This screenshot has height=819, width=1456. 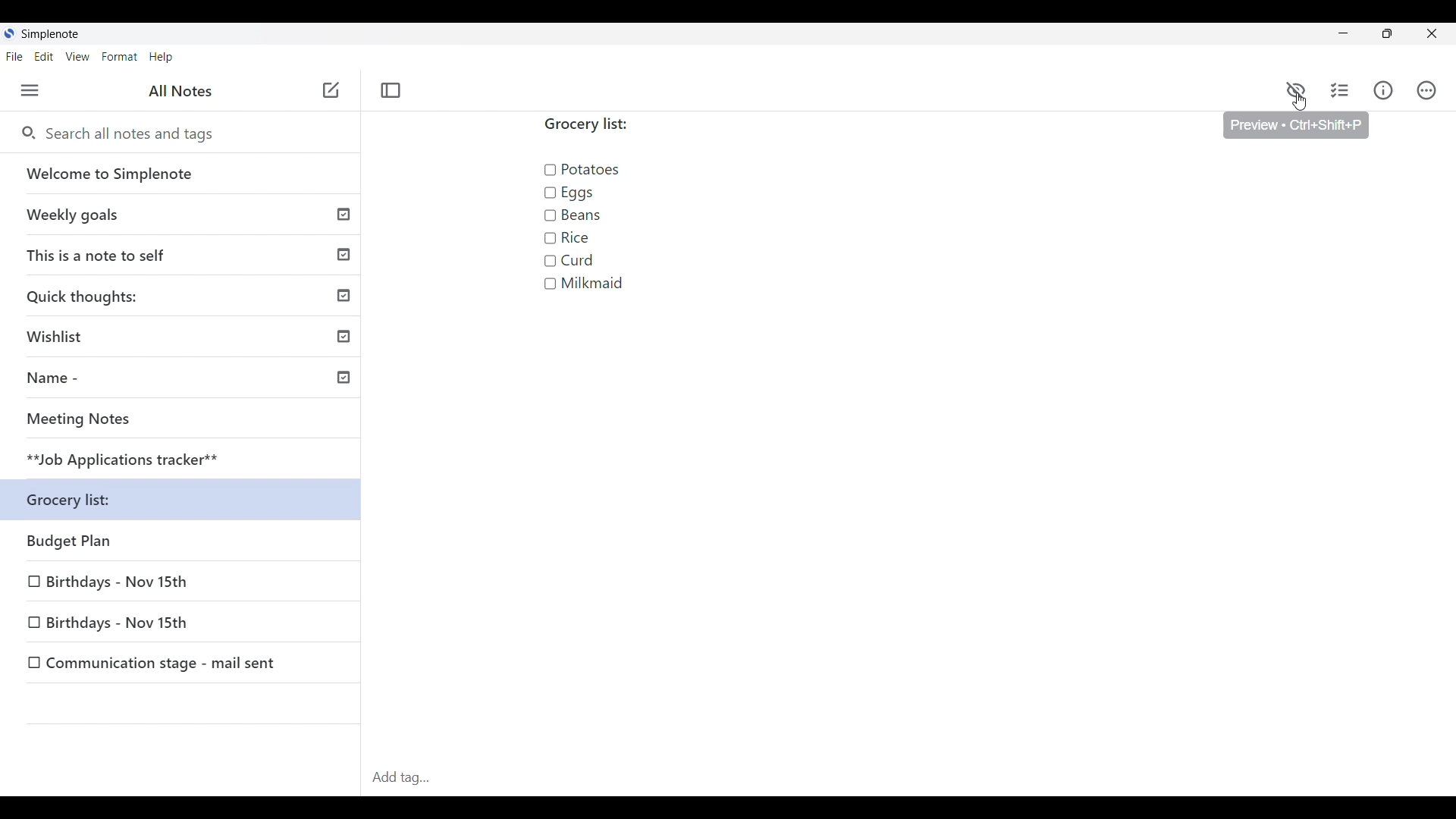 I want to click on Actions, so click(x=1426, y=90).